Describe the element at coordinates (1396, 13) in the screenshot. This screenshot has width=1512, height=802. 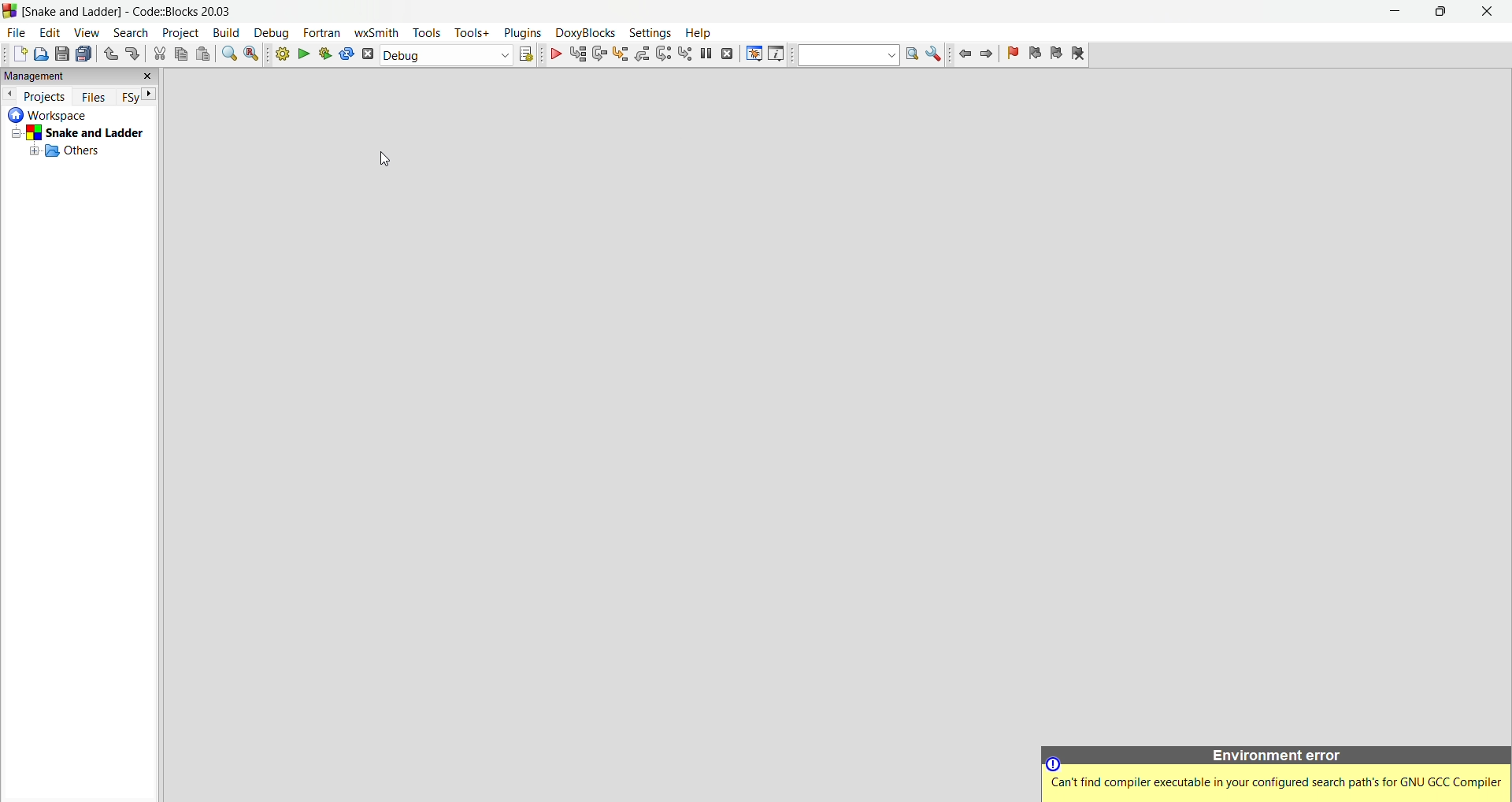
I see `minimize` at that location.